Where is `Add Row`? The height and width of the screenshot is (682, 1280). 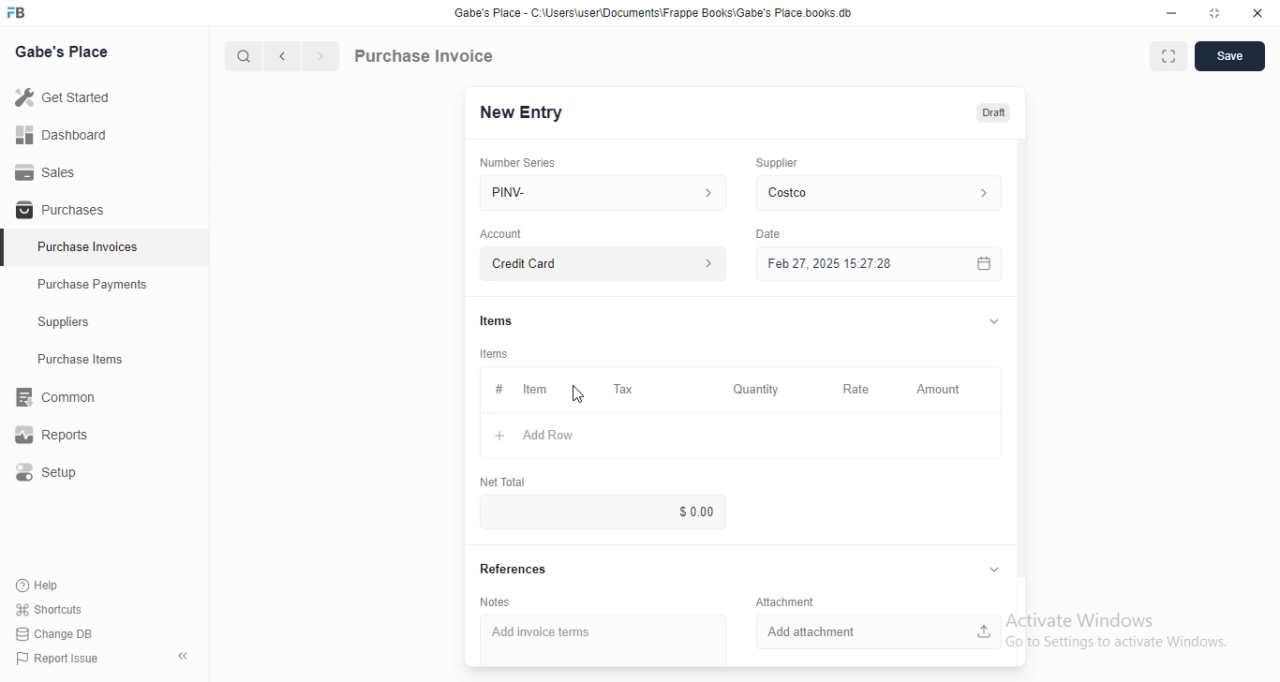
Add Row is located at coordinates (741, 435).